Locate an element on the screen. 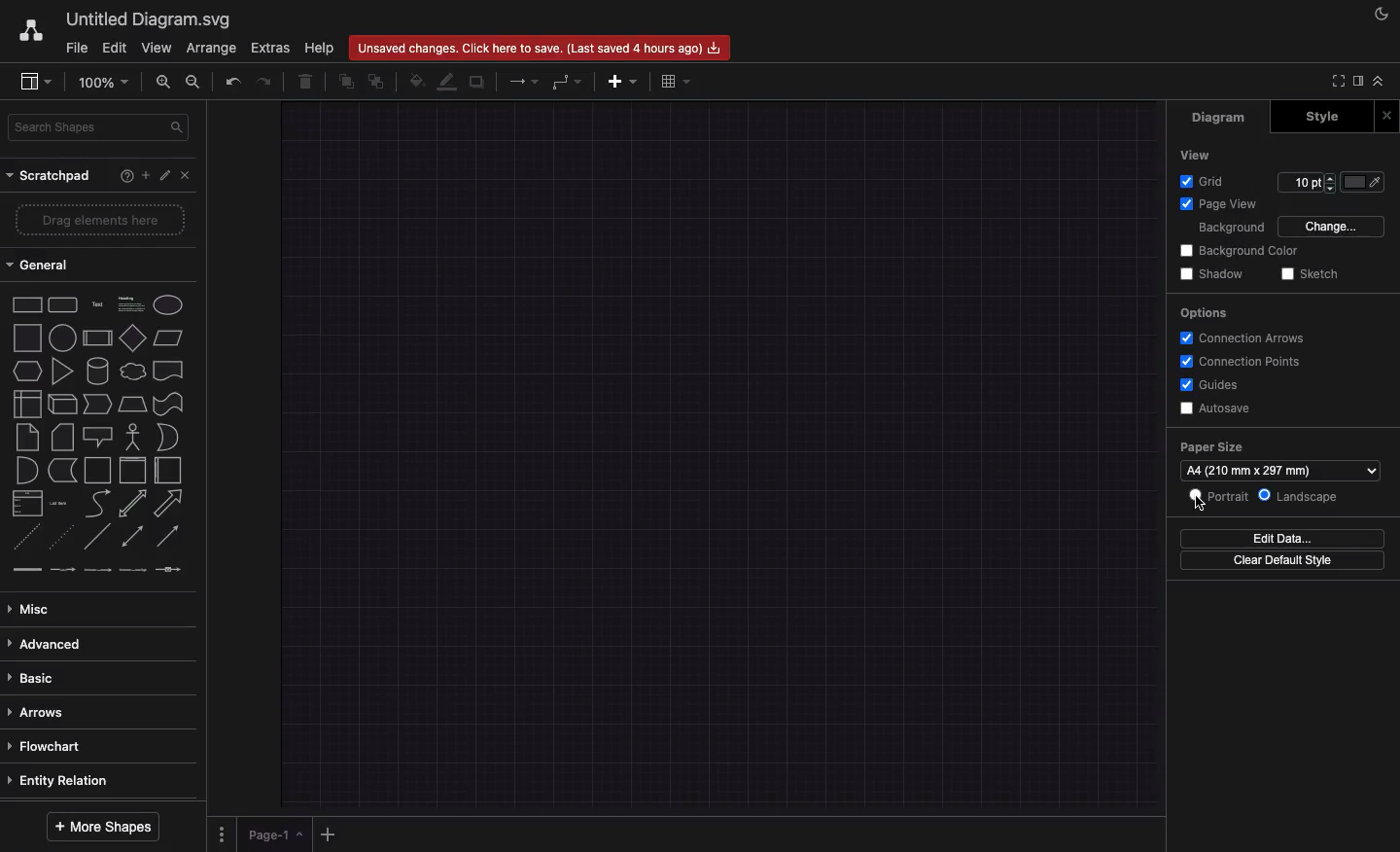 This screenshot has width=1400, height=852. Collapse is located at coordinates (1381, 83).